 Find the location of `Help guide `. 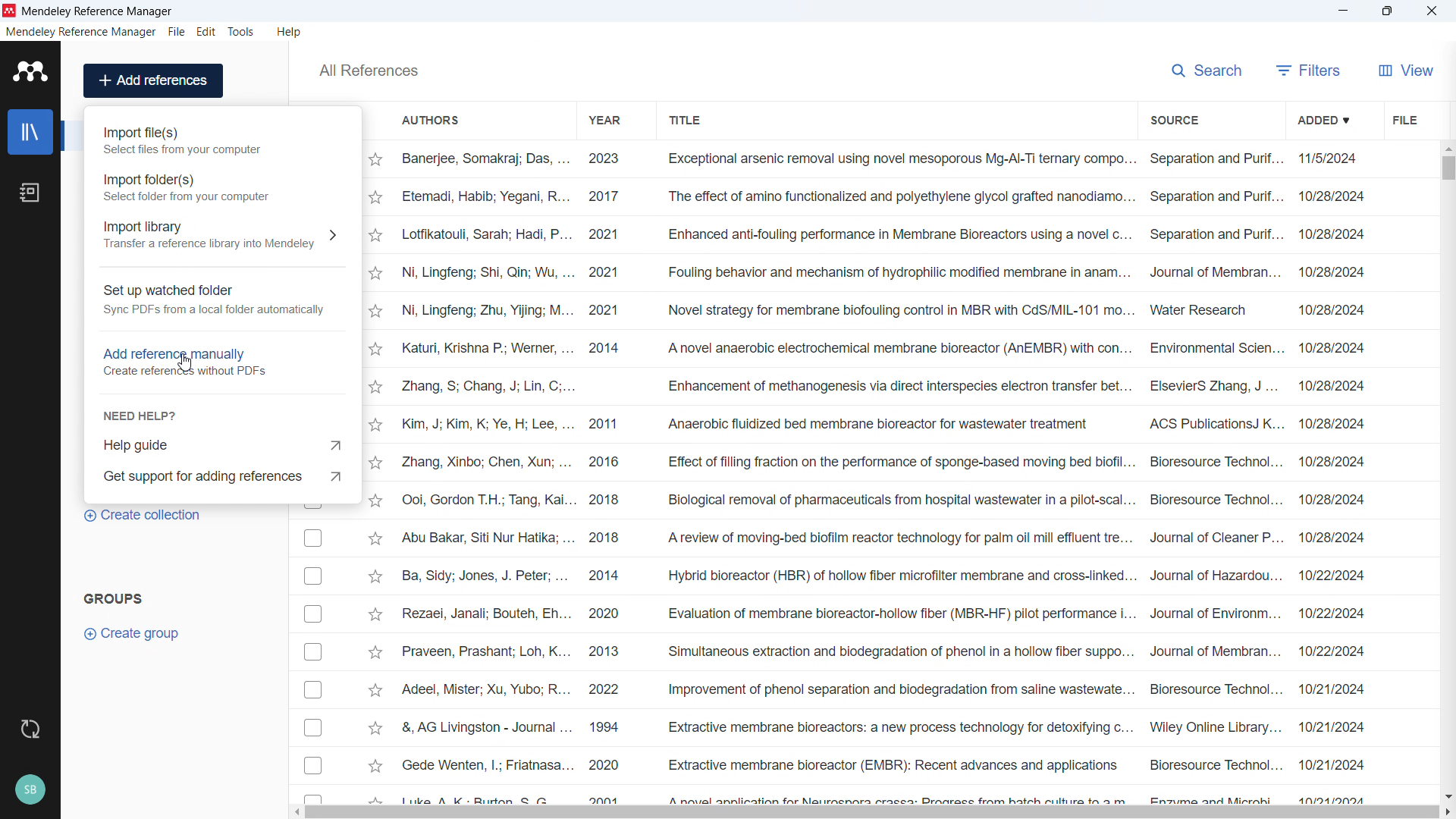

Help guide  is located at coordinates (224, 444).